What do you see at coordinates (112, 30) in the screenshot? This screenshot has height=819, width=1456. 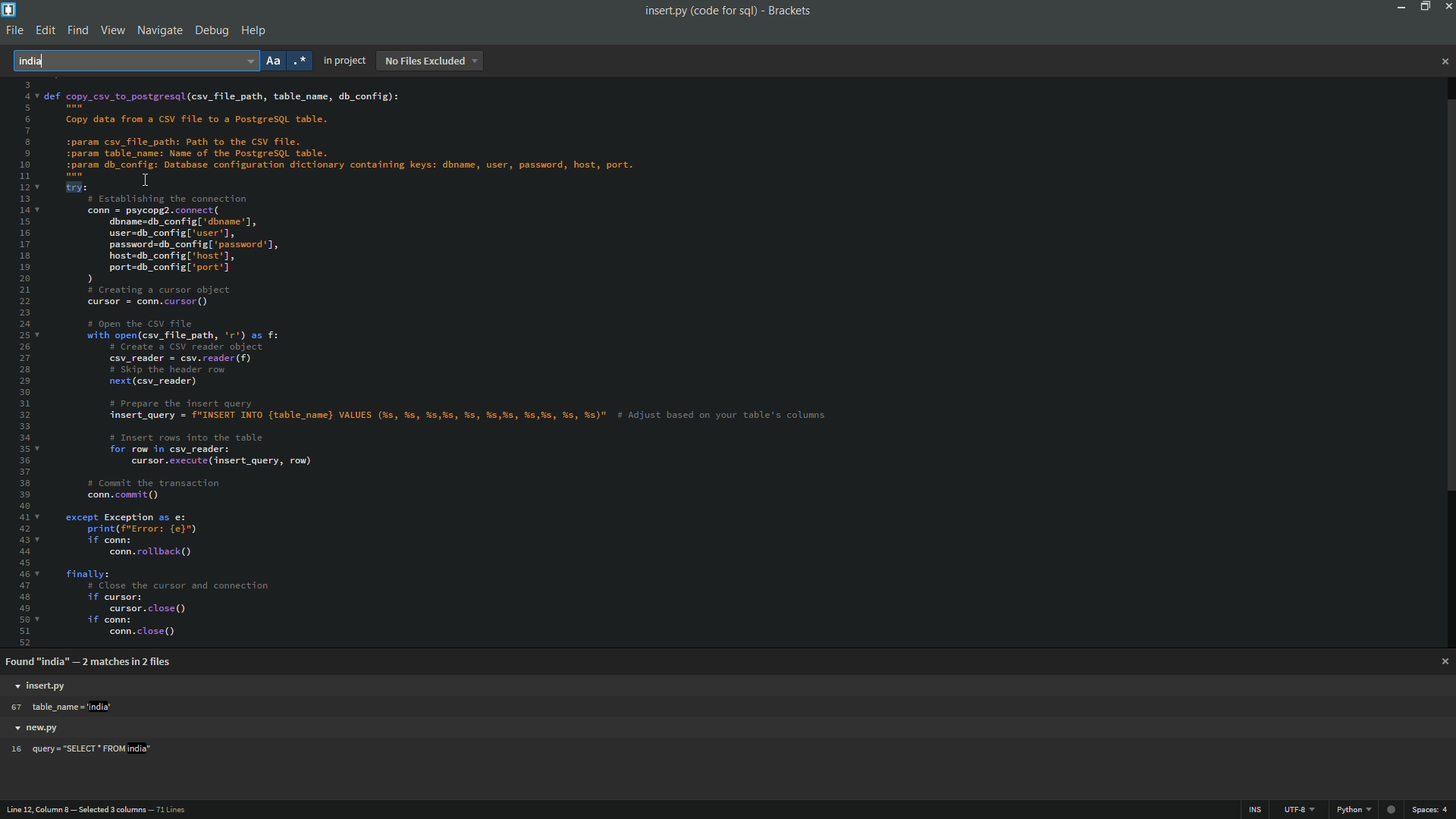 I see `view menu` at bounding box center [112, 30].